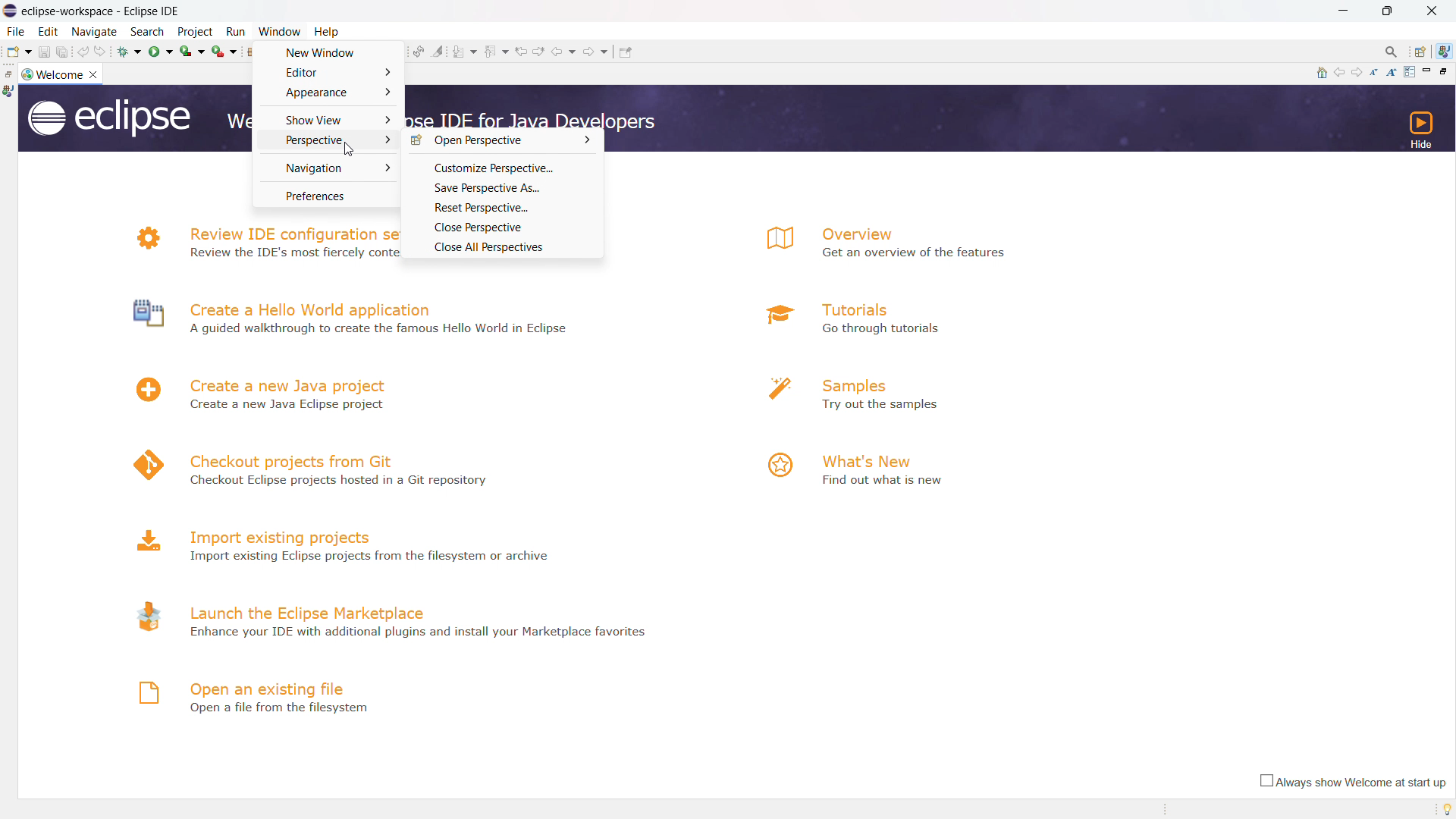 The image size is (1456, 819). Describe the element at coordinates (379, 555) in the screenshot. I see `Import existing Eclipse projects from the filesystem or archive` at that location.